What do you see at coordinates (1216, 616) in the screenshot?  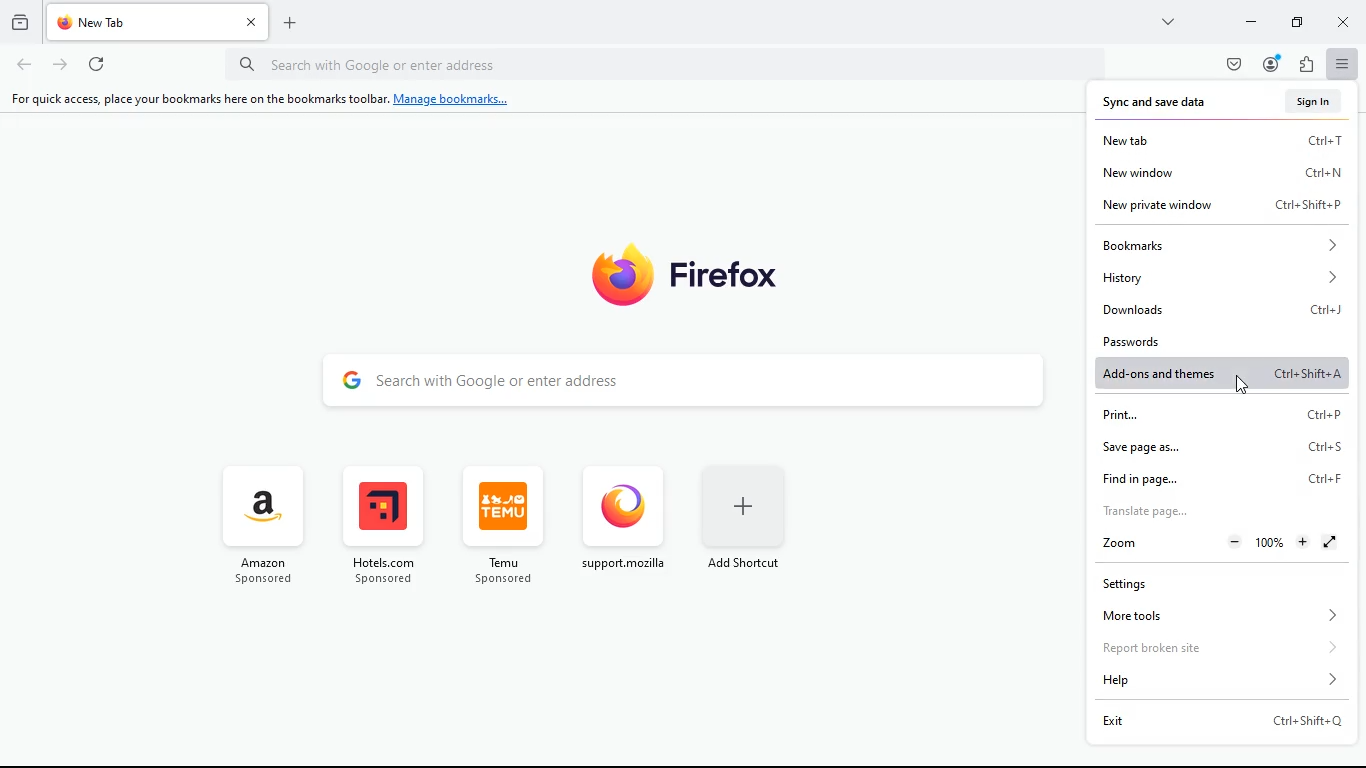 I see `more tools` at bounding box center [1216, 616].